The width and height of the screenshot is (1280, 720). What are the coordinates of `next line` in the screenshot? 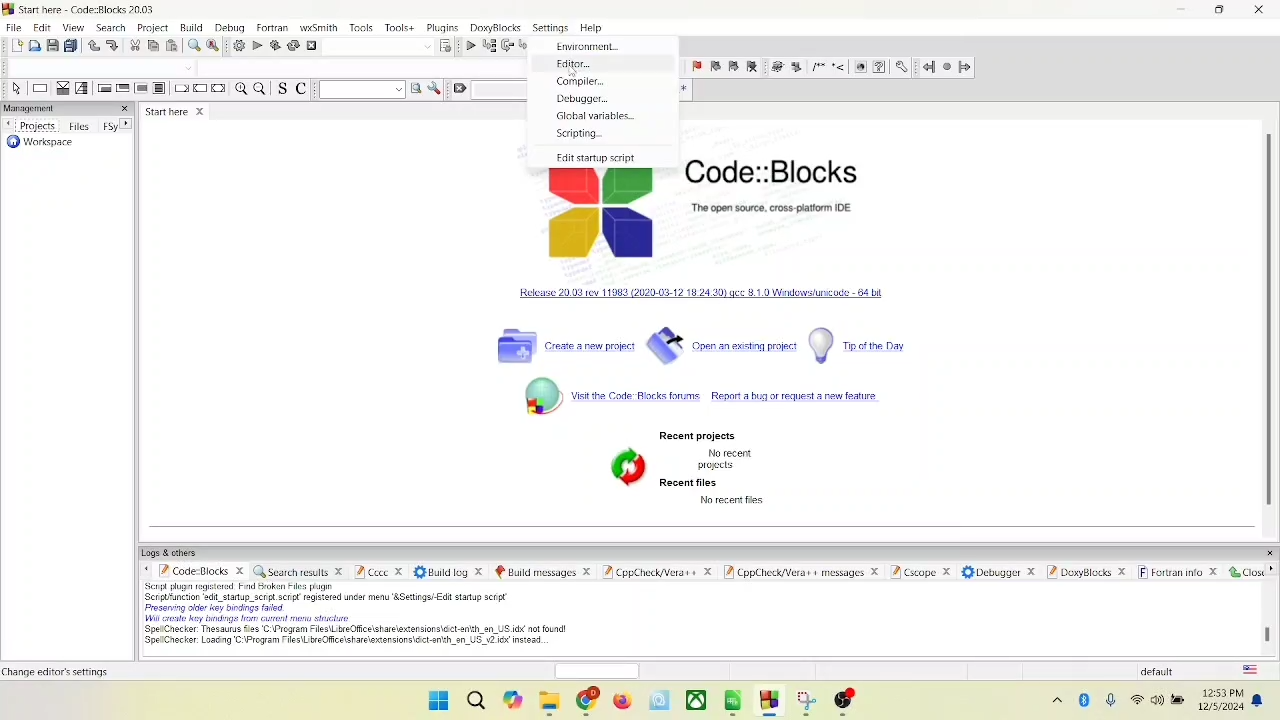 It's located at (505, 46).